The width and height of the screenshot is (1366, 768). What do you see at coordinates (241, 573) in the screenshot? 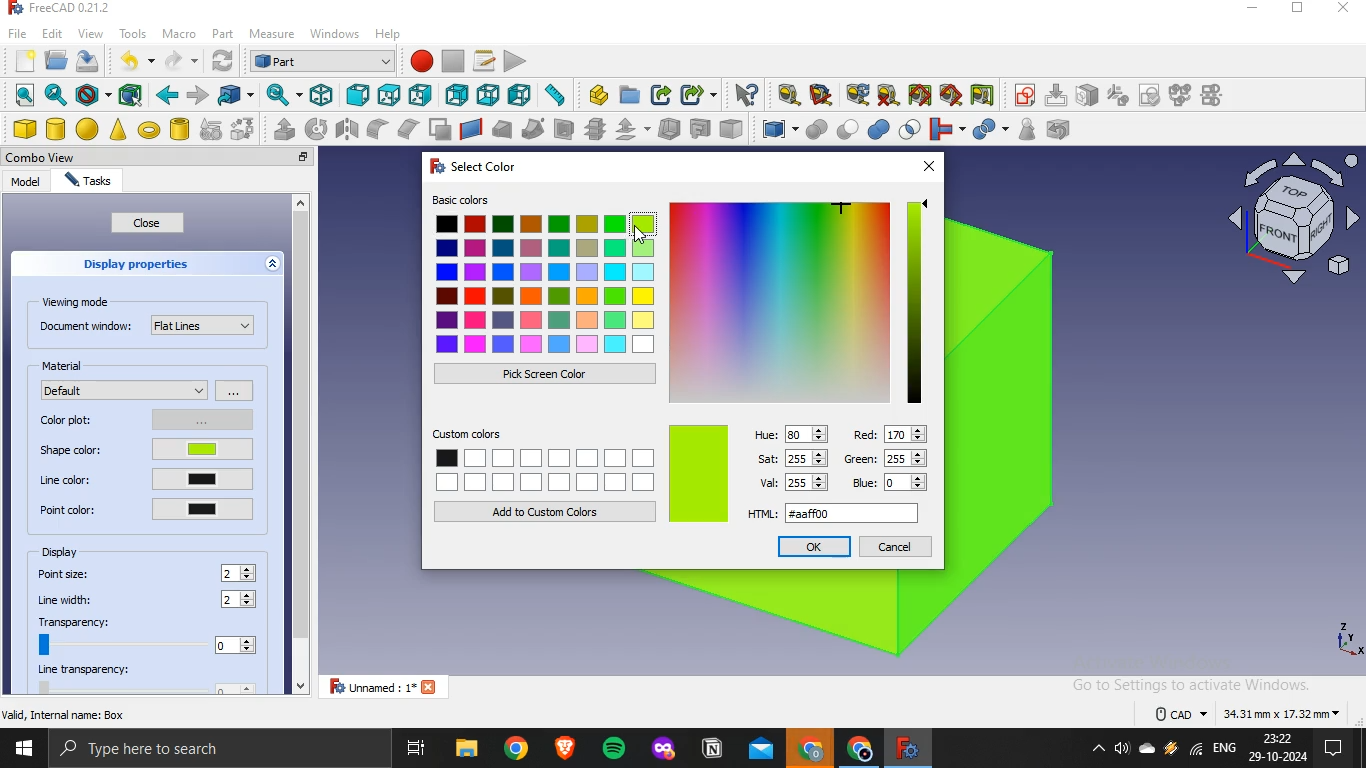
I see `2` at bounding box center [241, 573].